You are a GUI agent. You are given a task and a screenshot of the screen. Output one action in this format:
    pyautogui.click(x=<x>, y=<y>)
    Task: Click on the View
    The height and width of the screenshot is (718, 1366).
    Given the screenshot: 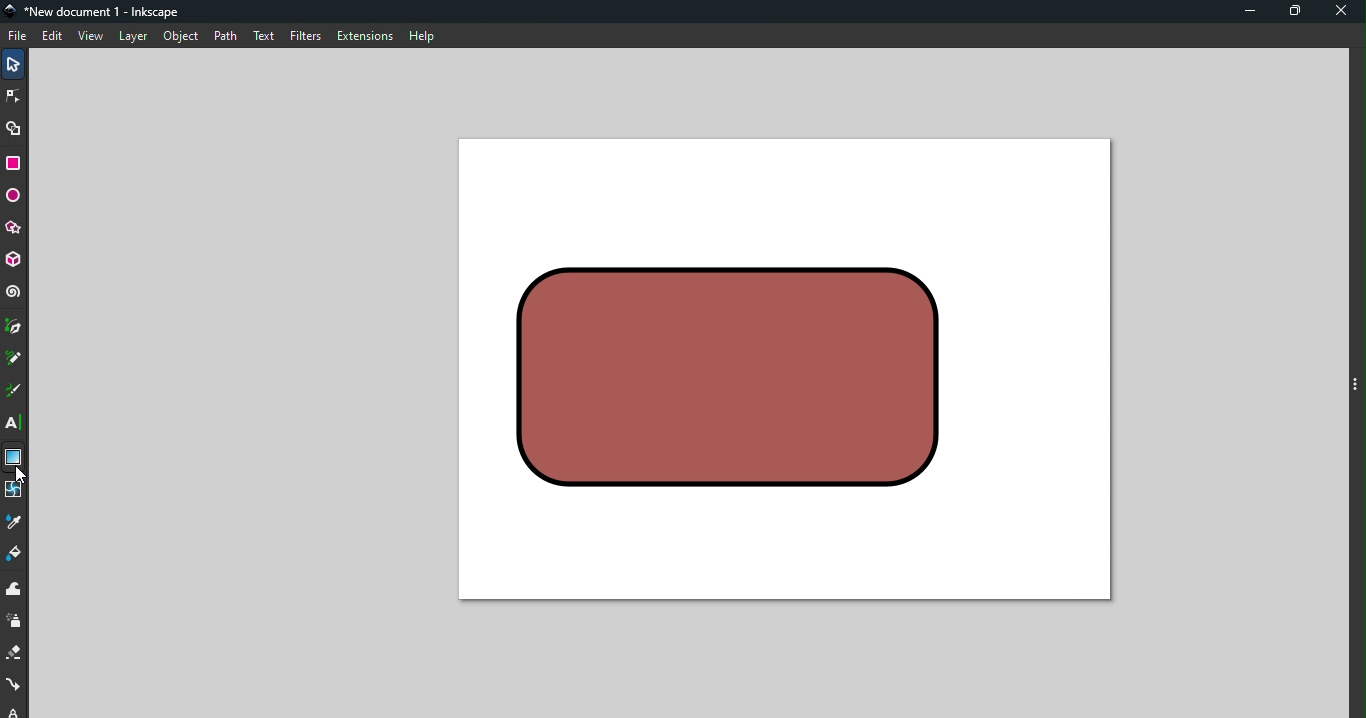 What is the action you would take?
    pyautogui.click(x=93, y=37)
    